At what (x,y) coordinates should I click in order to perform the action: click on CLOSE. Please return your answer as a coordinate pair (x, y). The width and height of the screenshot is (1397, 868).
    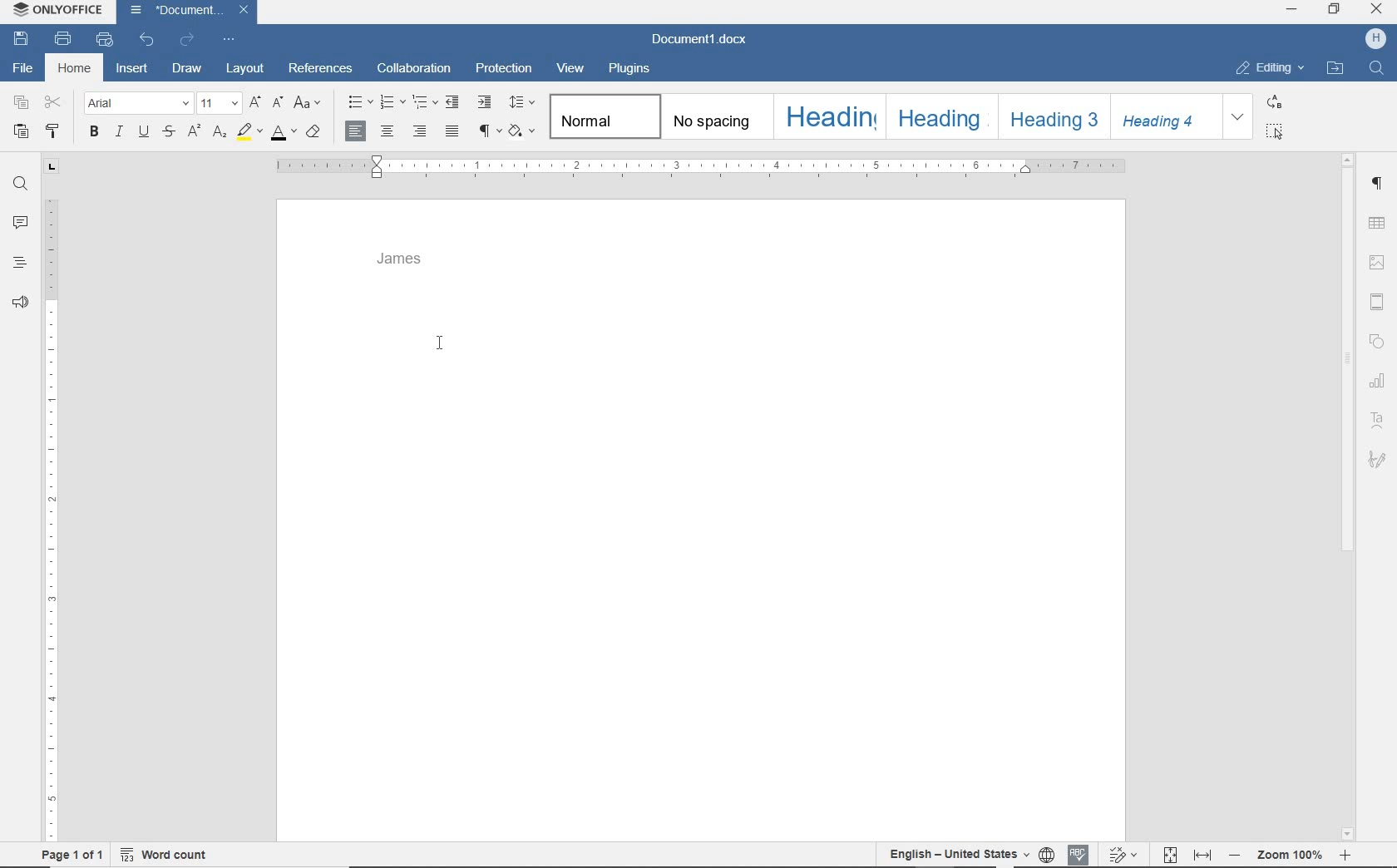
    Looking at the image, I should click on (1376, 11).